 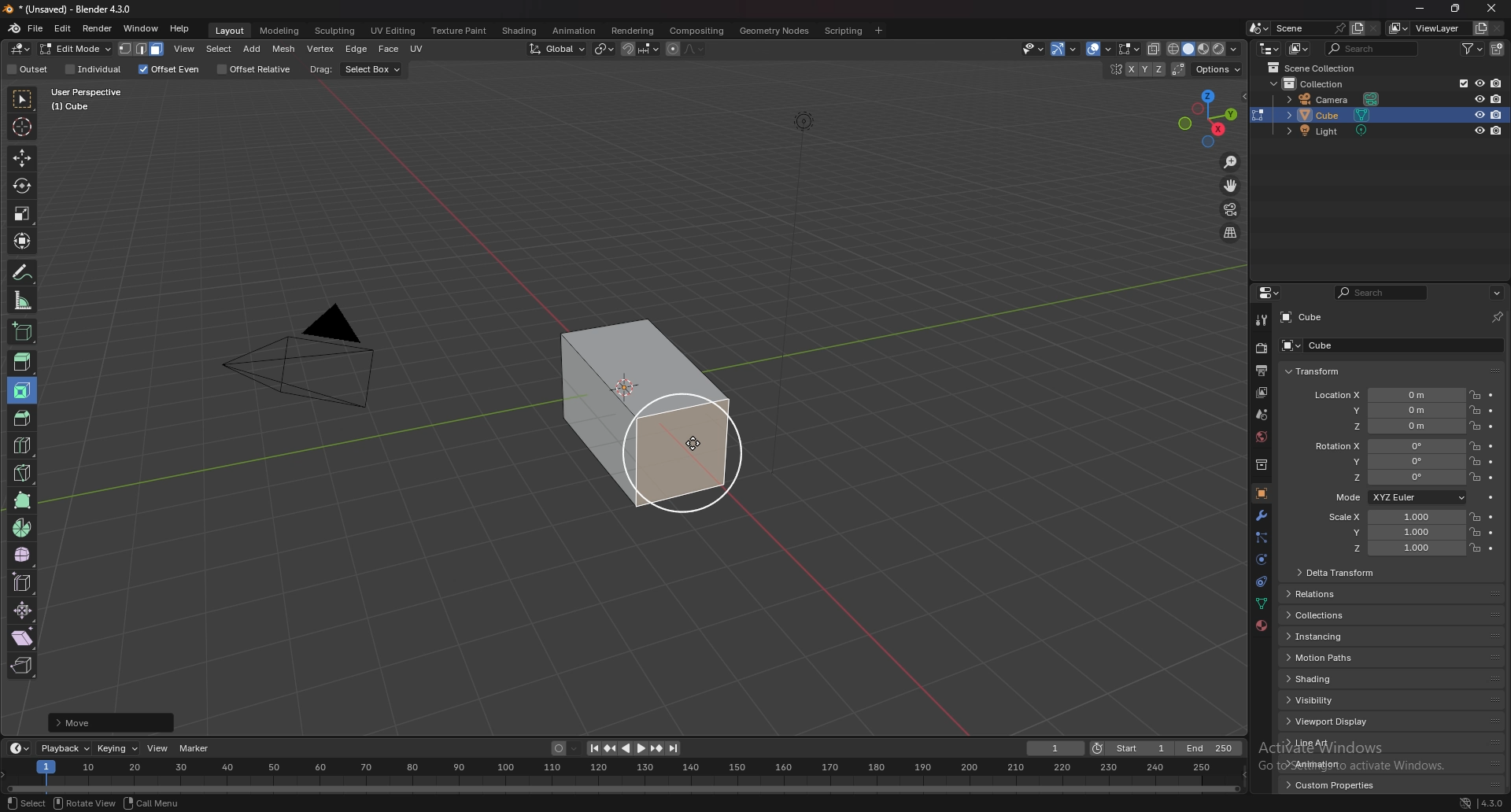 What do you see at coordinates (1100, 49) in the screenshot?
I see `show overlays` at bounding box center [1100, 49].